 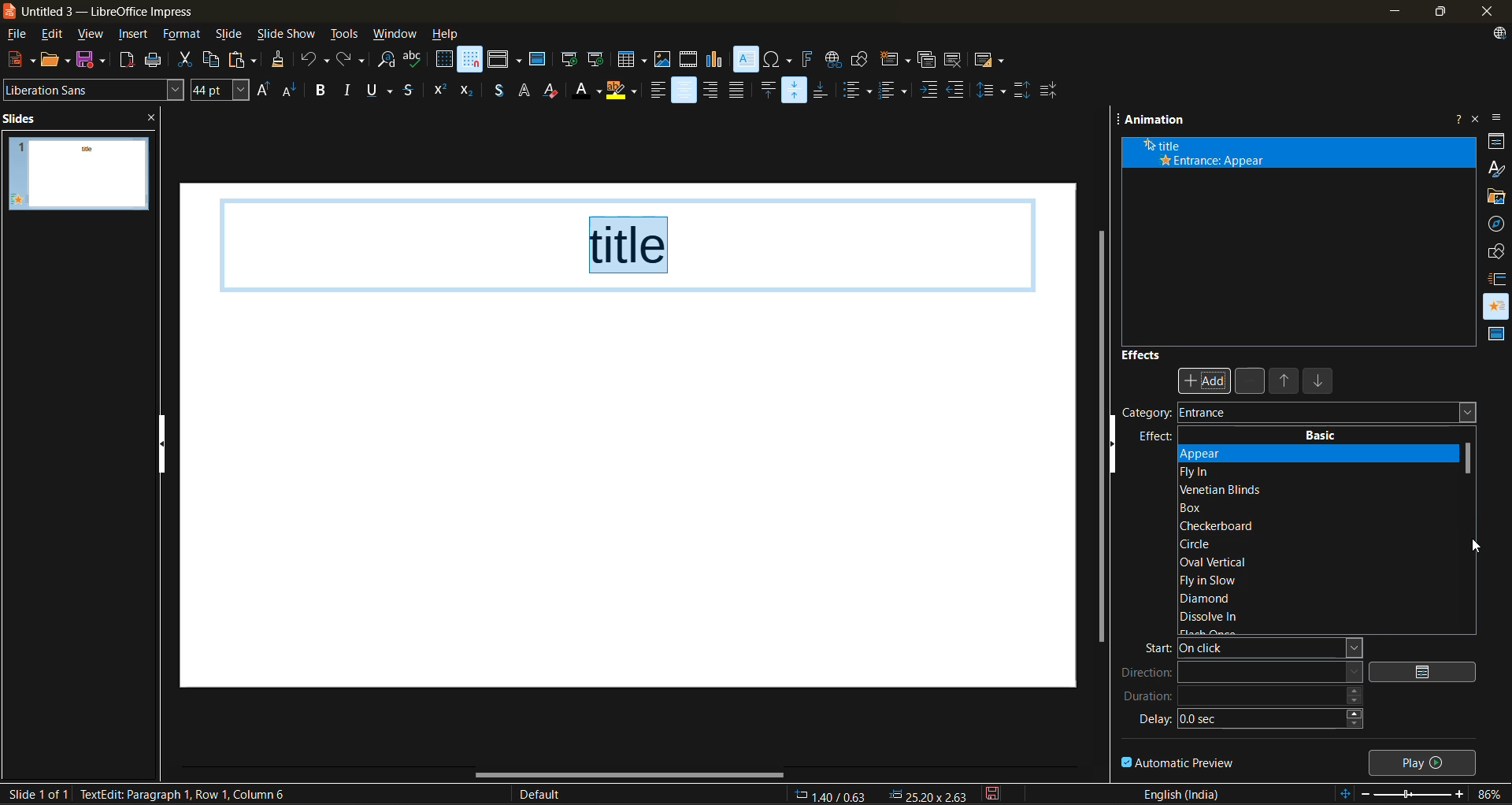 What do you see at coordinates (505, 59) in the screenshot?
I see `display views` at bounding box center [505, 59].